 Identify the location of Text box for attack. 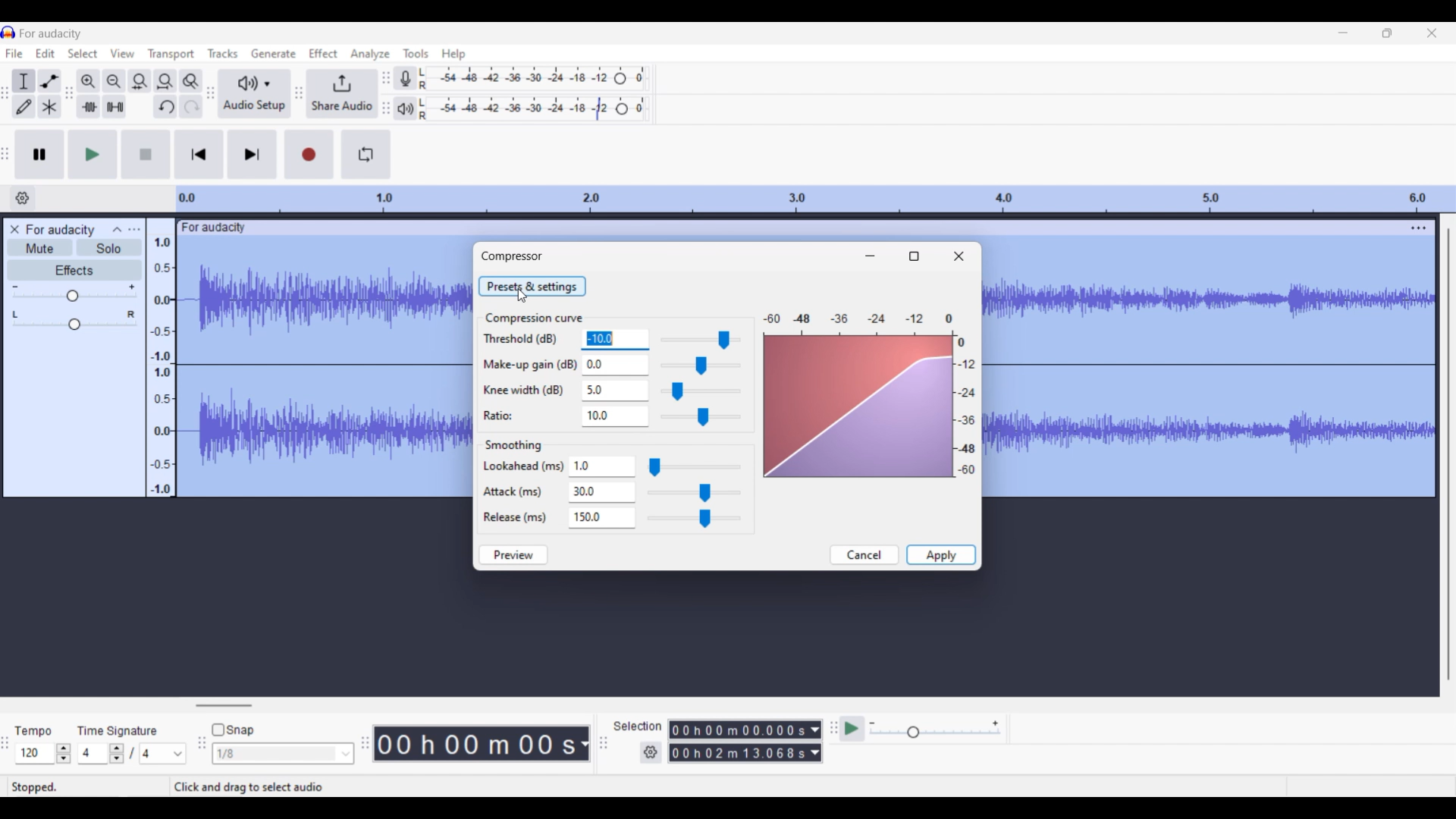
(604, 492).